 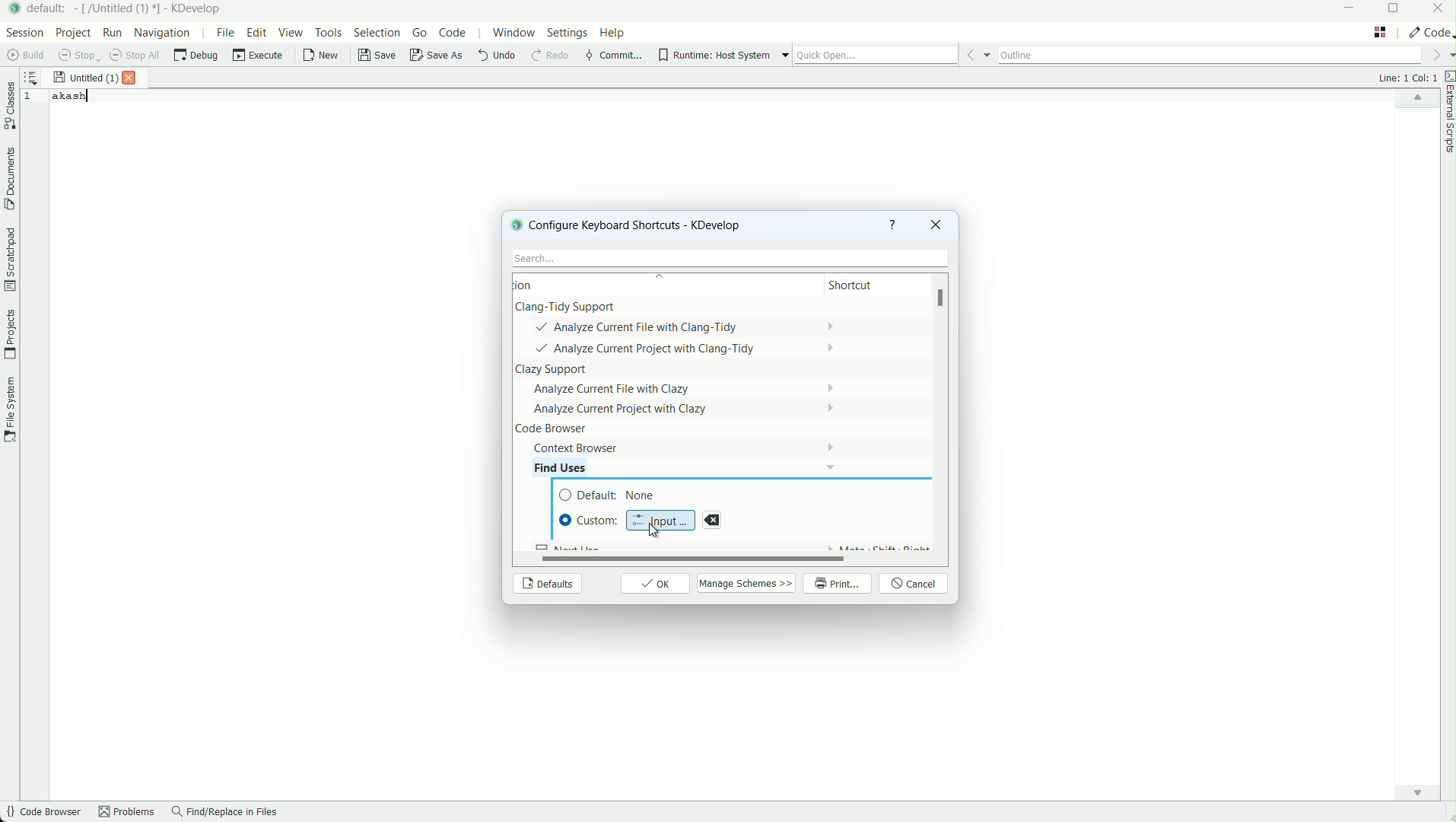 I want to click on akash, so click(x=71, y=96).